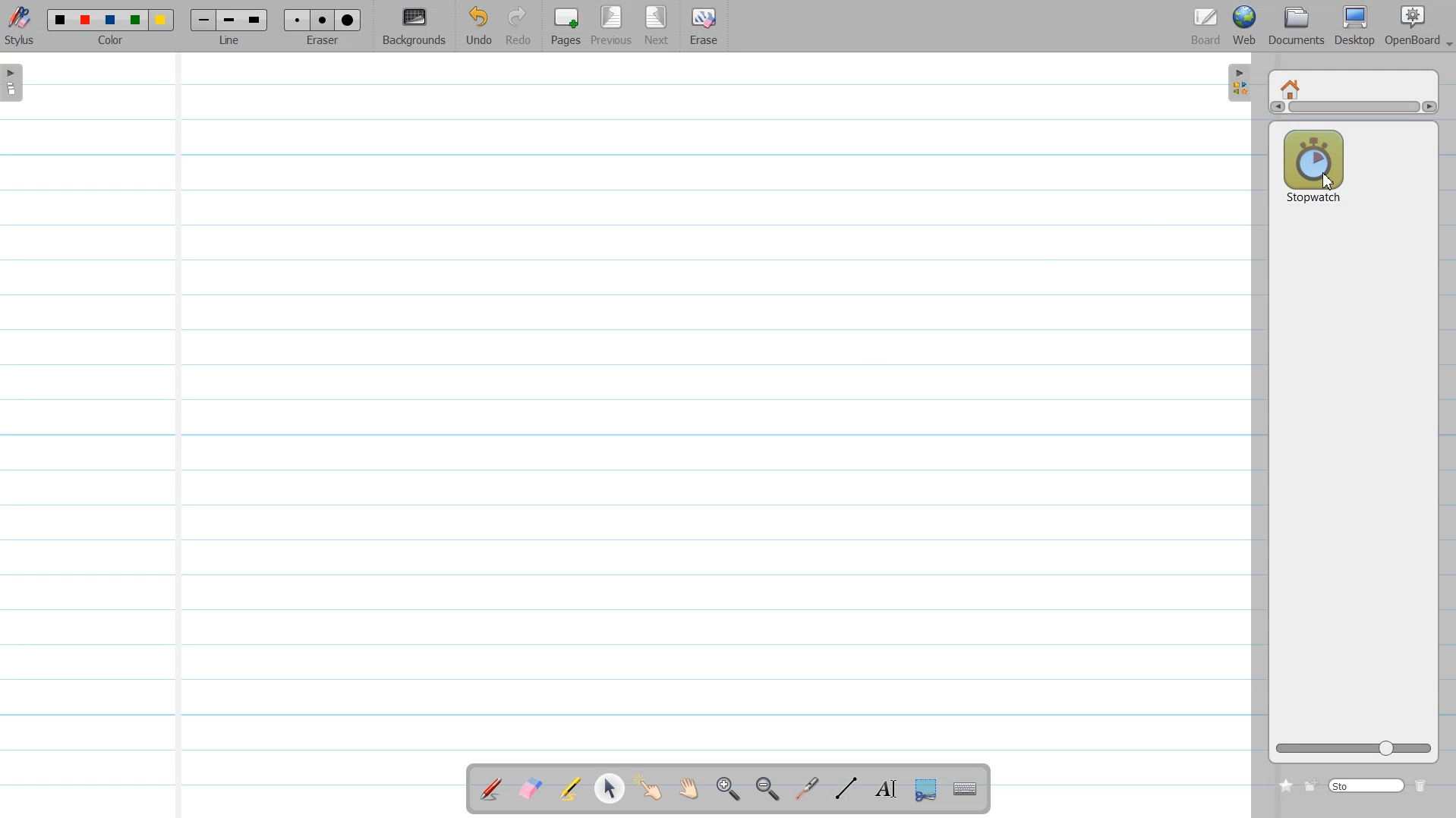  What do you see at coordinates (1292, 87) in the screenshot?
I see `Home window` at bounding box center [1292, 87].